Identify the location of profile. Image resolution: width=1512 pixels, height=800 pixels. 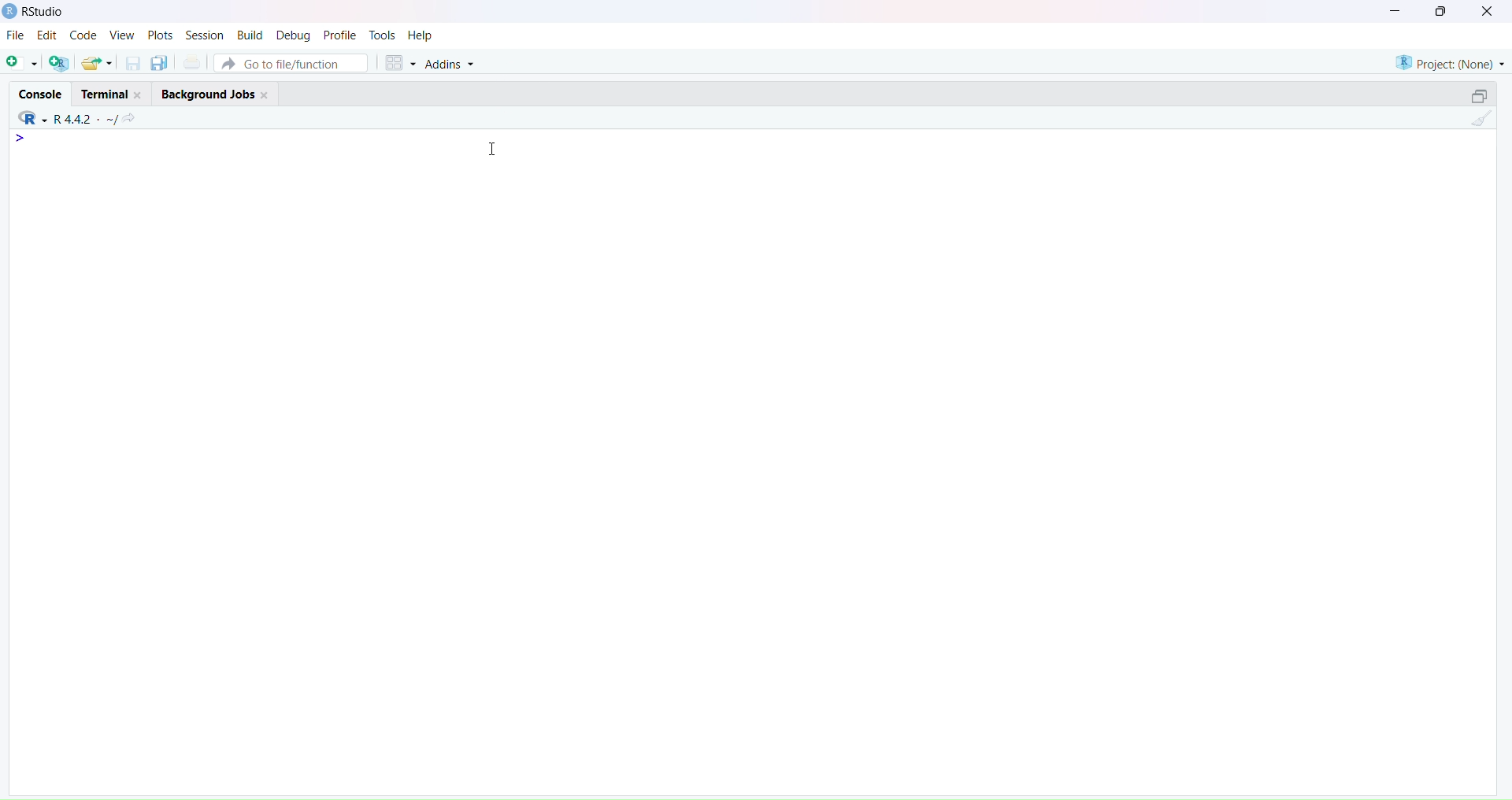
(339, 36).